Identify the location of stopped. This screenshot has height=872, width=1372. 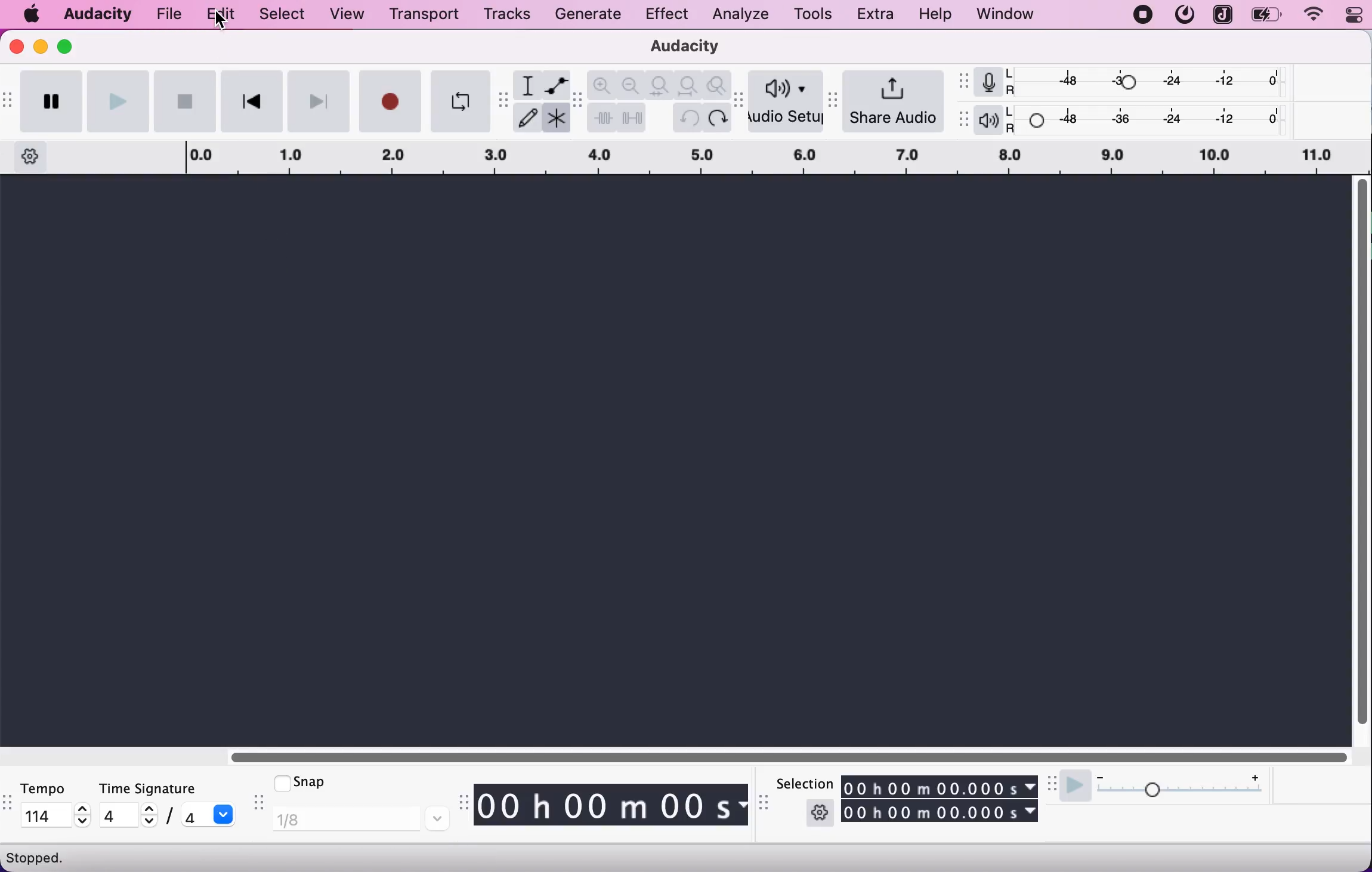
(39, 857).